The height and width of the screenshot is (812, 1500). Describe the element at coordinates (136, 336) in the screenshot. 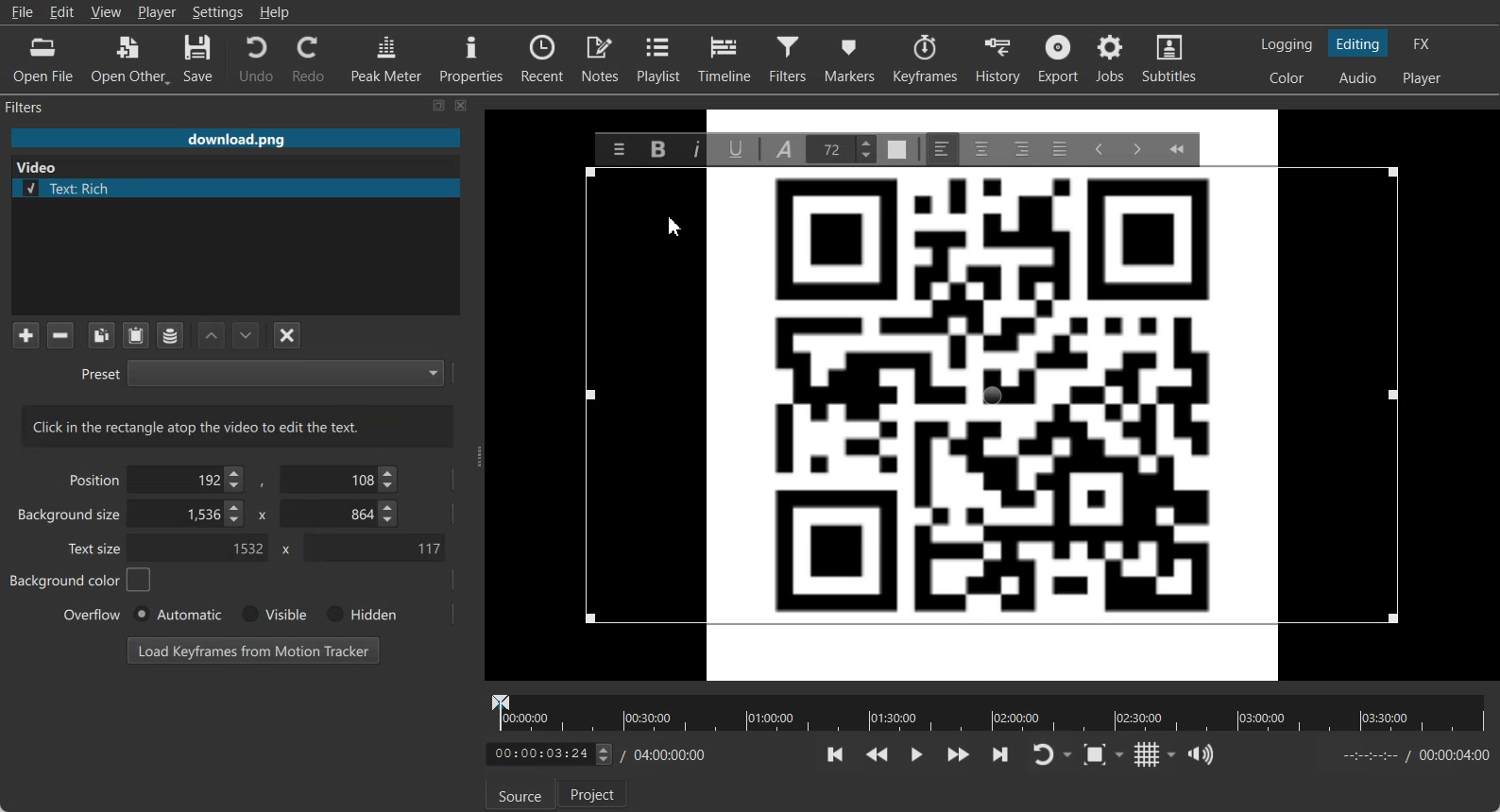

I see `Paste Filters` at that location.